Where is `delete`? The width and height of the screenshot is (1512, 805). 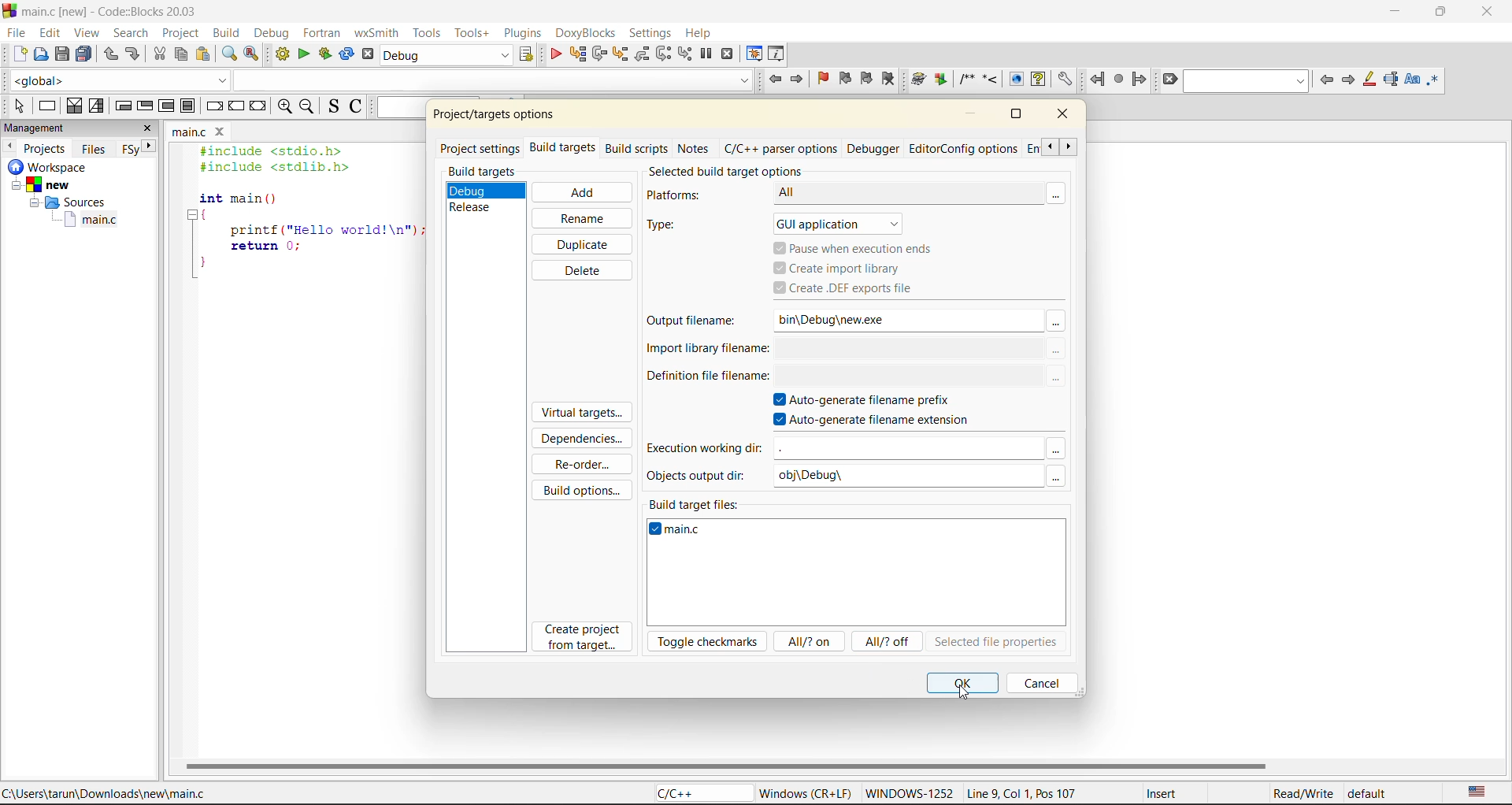
delete is located at coordinates (586, 270).